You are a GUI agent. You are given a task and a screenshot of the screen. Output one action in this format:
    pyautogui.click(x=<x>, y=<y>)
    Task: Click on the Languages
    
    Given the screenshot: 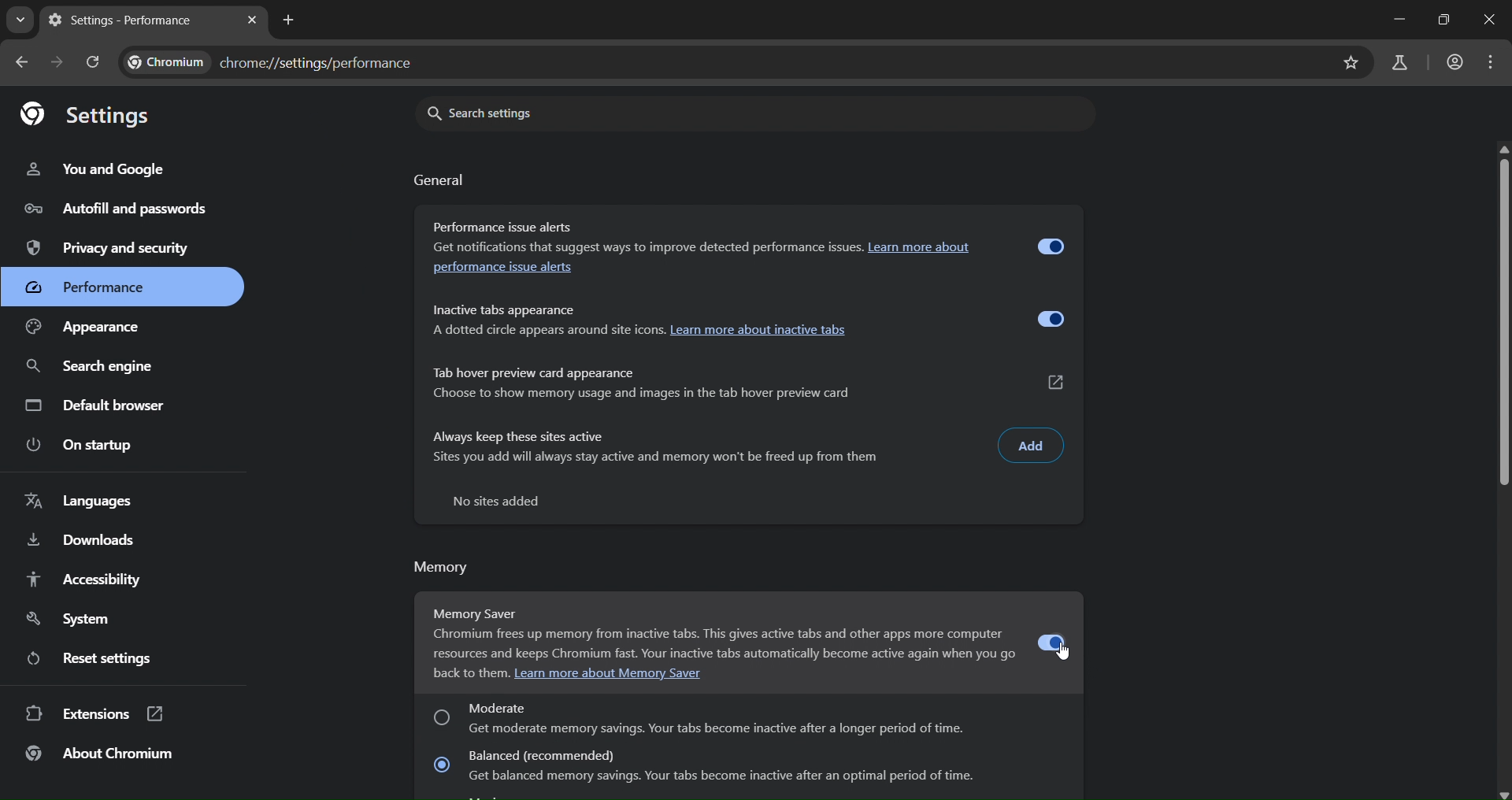 What is the action you would take?
    pyautogui.click(x=83, y=502)
    